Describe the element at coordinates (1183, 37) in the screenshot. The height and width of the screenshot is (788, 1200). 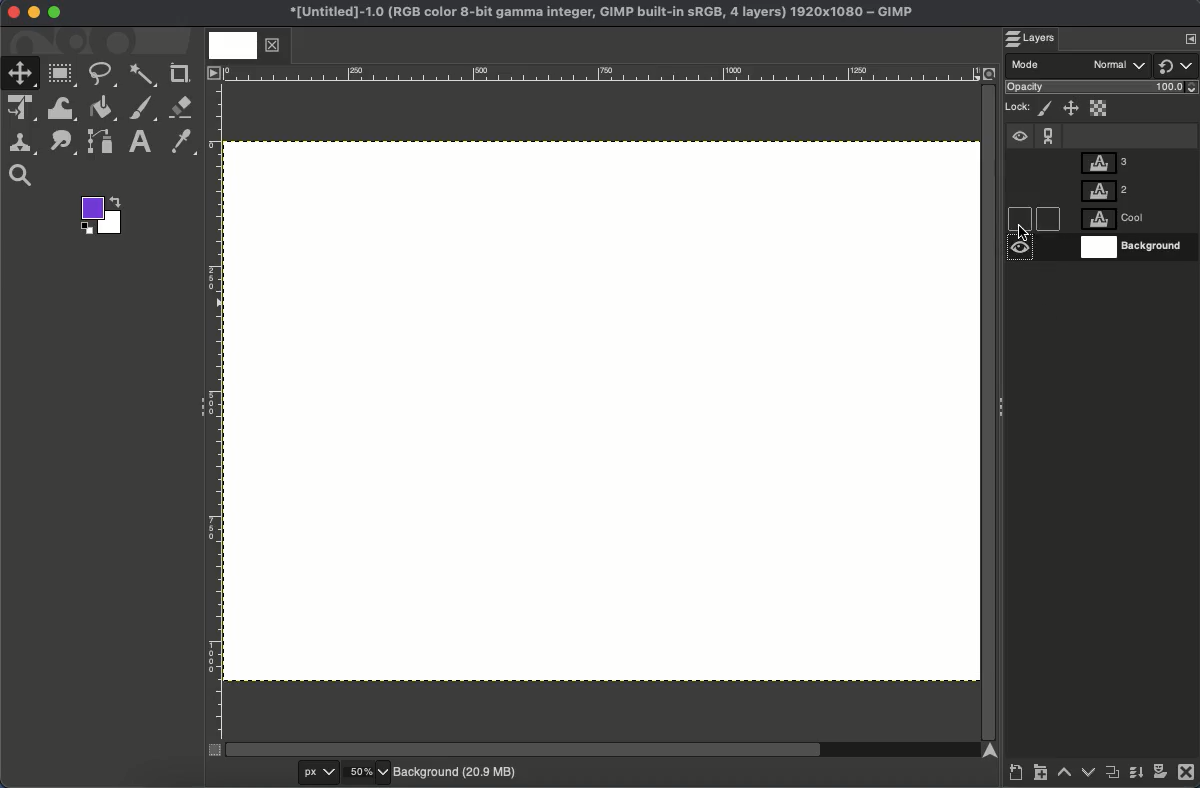
I see `show layers` at that location.